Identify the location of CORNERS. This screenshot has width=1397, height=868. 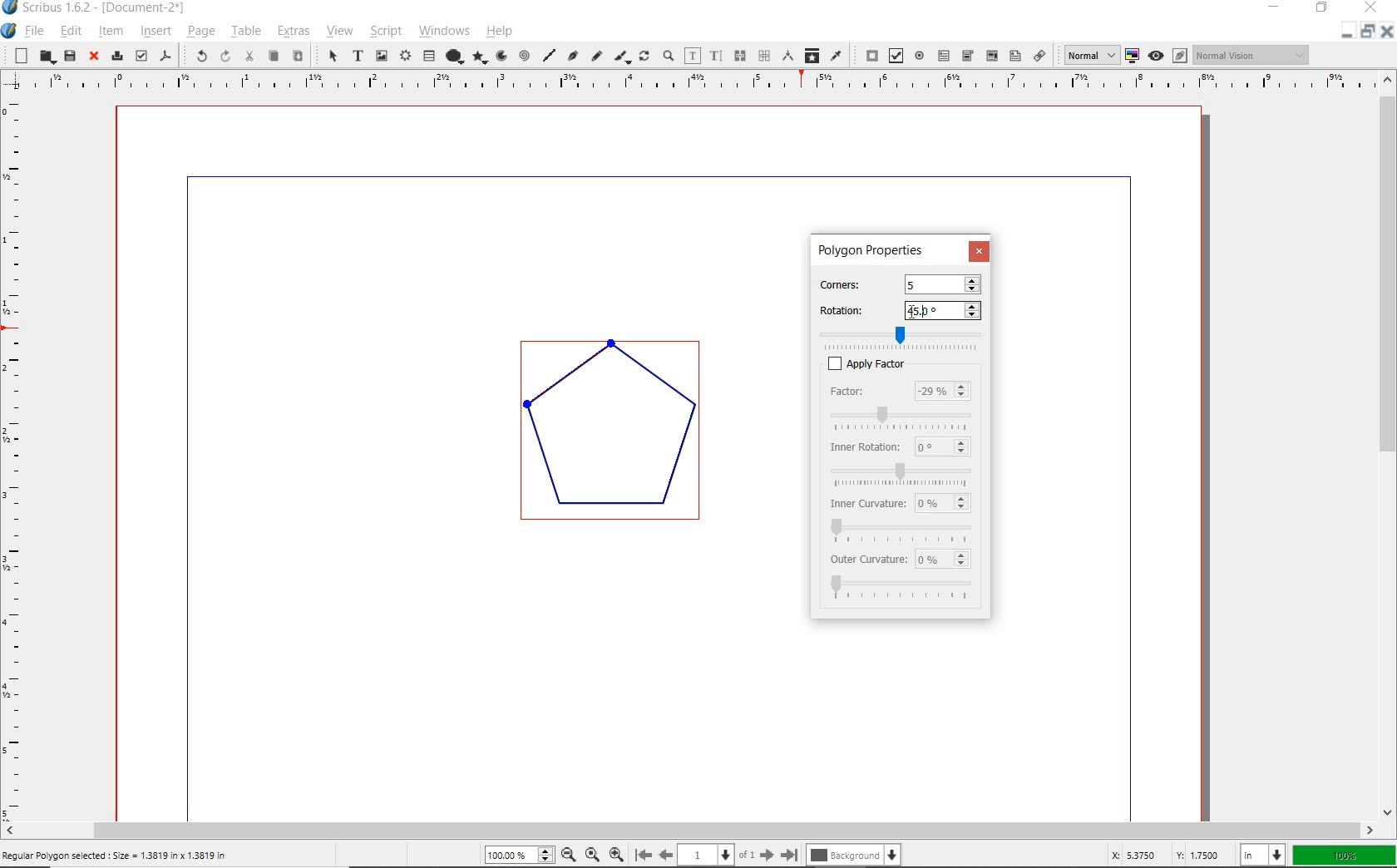
(852, 282).